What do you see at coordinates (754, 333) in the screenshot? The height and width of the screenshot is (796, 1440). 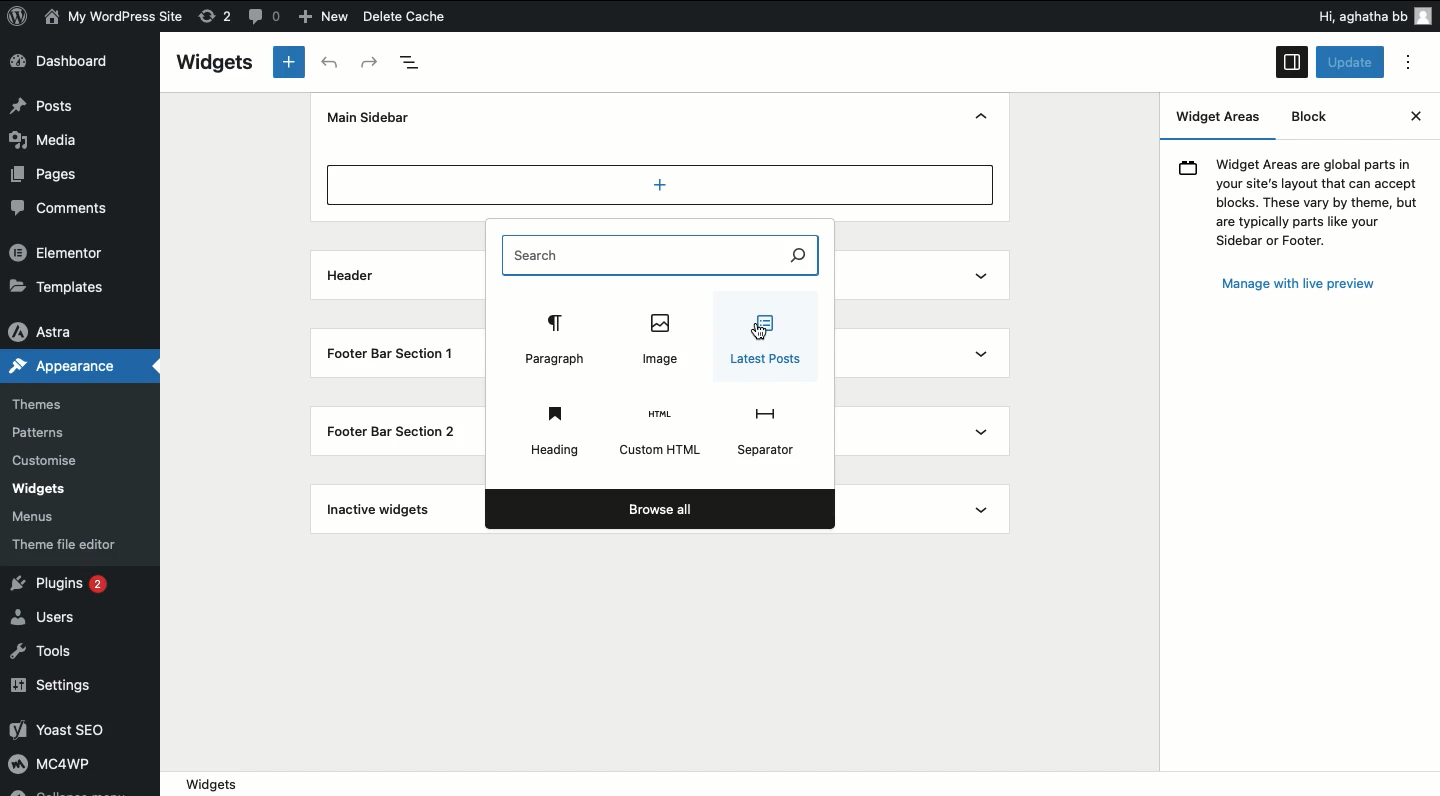 I see `cursor` at bounding box center [754, 333].